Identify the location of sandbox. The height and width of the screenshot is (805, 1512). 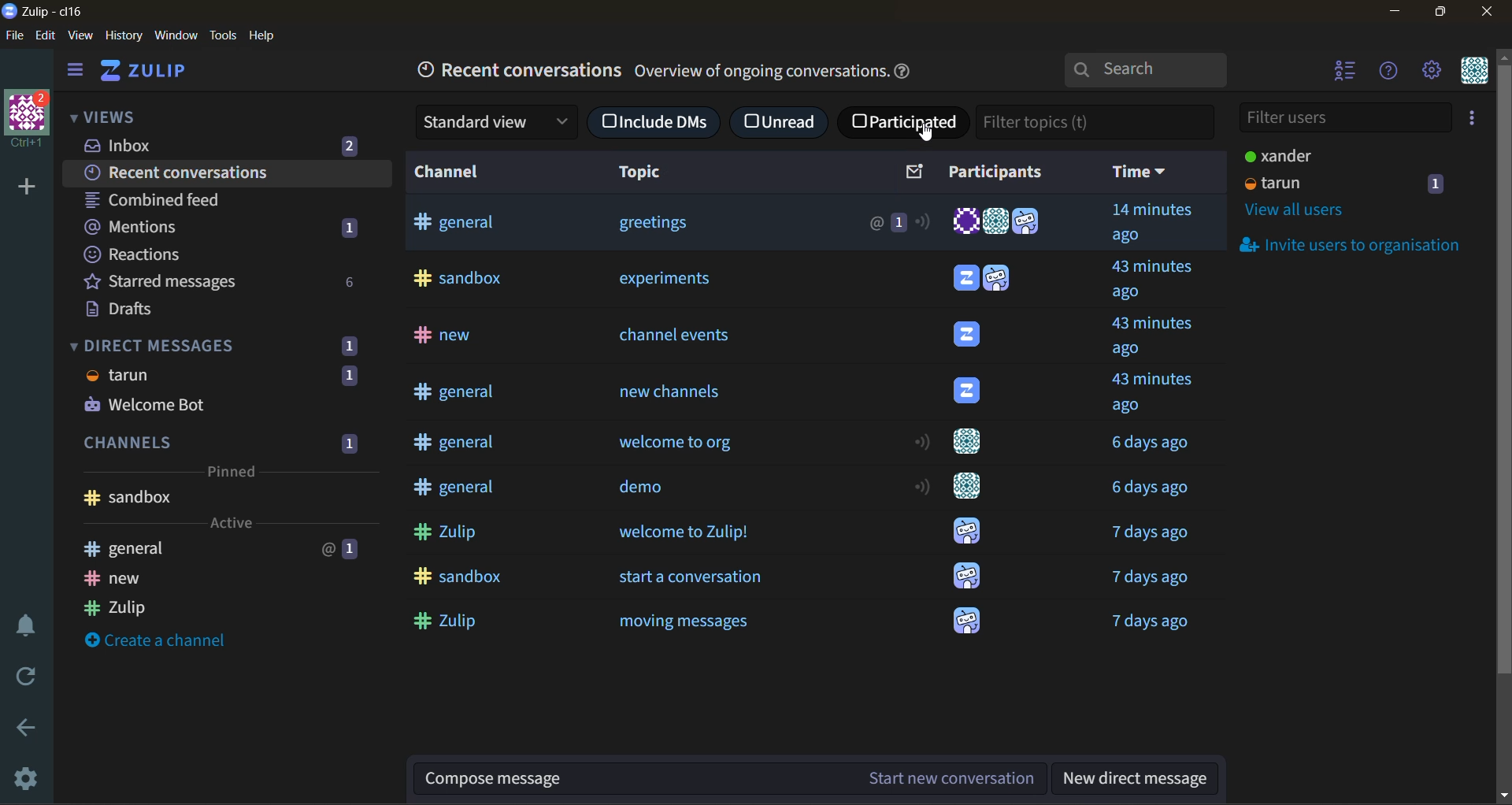
(214, 497).